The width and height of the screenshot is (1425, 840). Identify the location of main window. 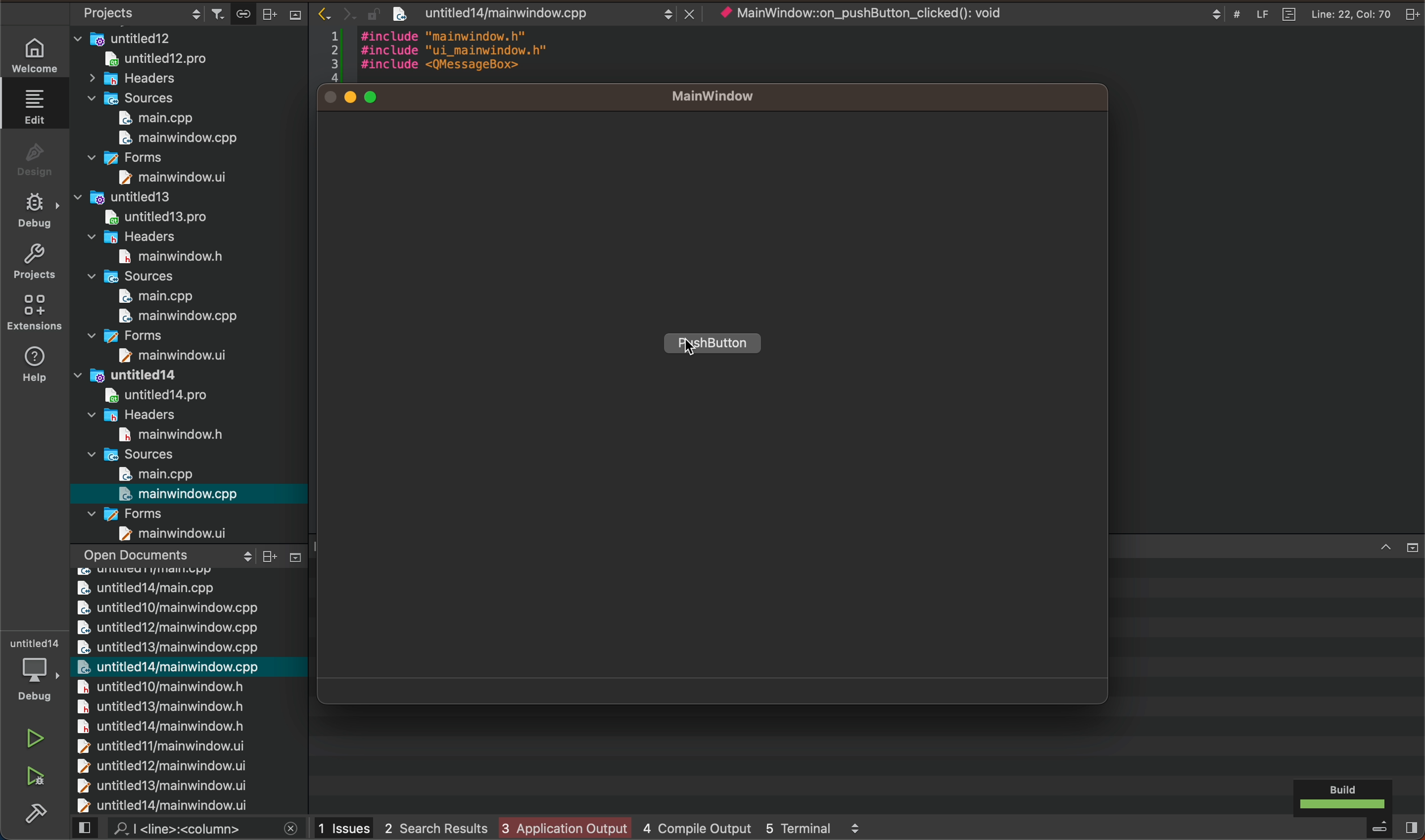
(165, 177).